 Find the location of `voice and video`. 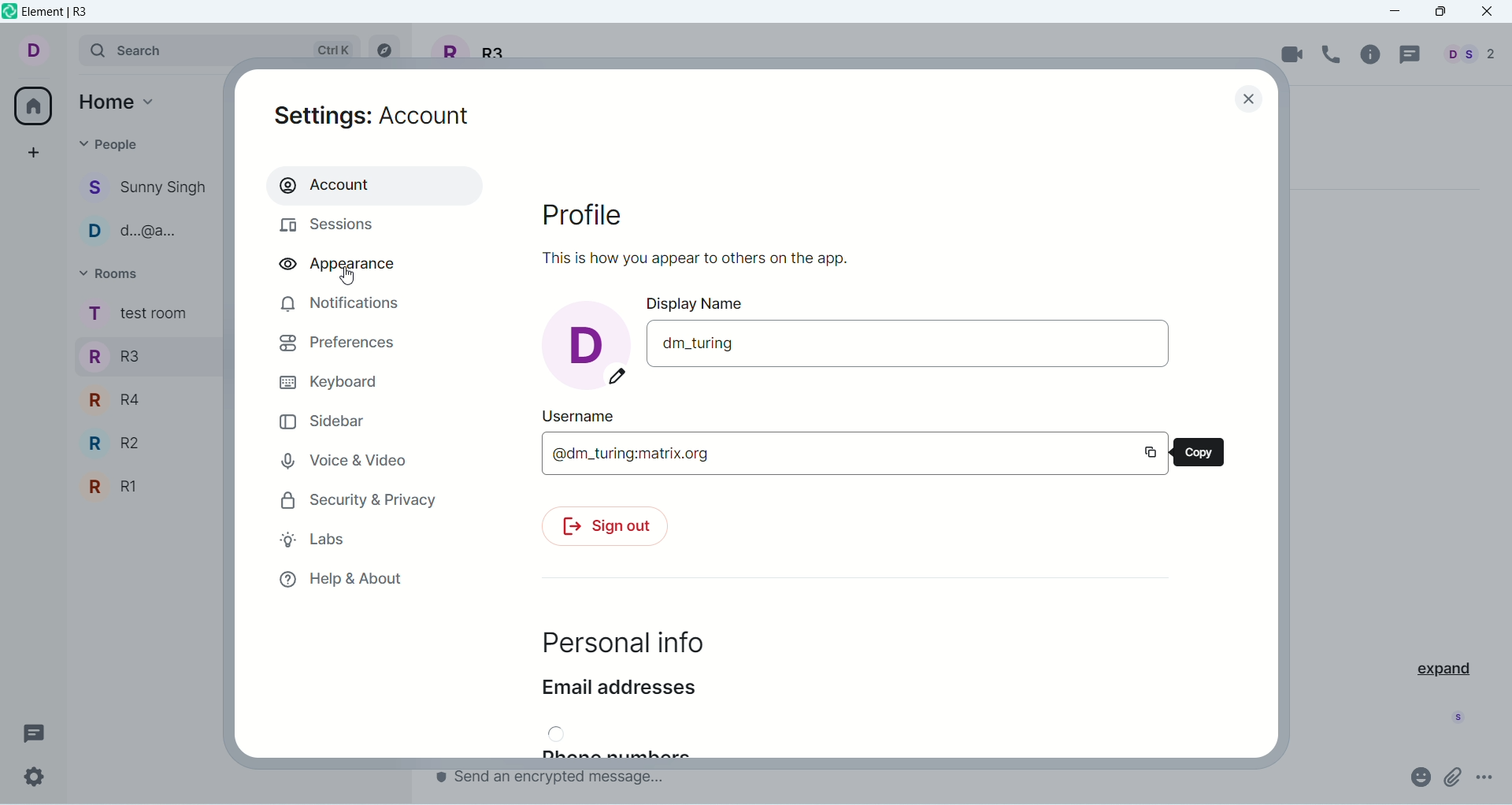

voice and video is located at coordinates (341, 458).